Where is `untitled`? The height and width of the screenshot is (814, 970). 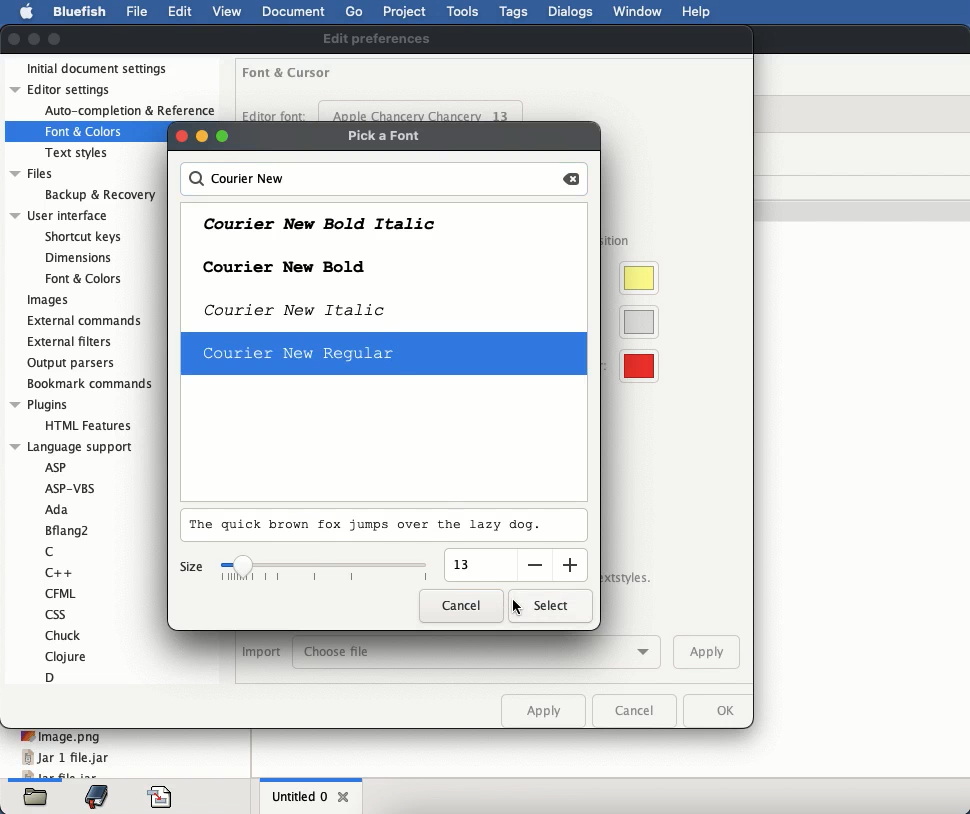
untitled is located at coordinates (299, 795).